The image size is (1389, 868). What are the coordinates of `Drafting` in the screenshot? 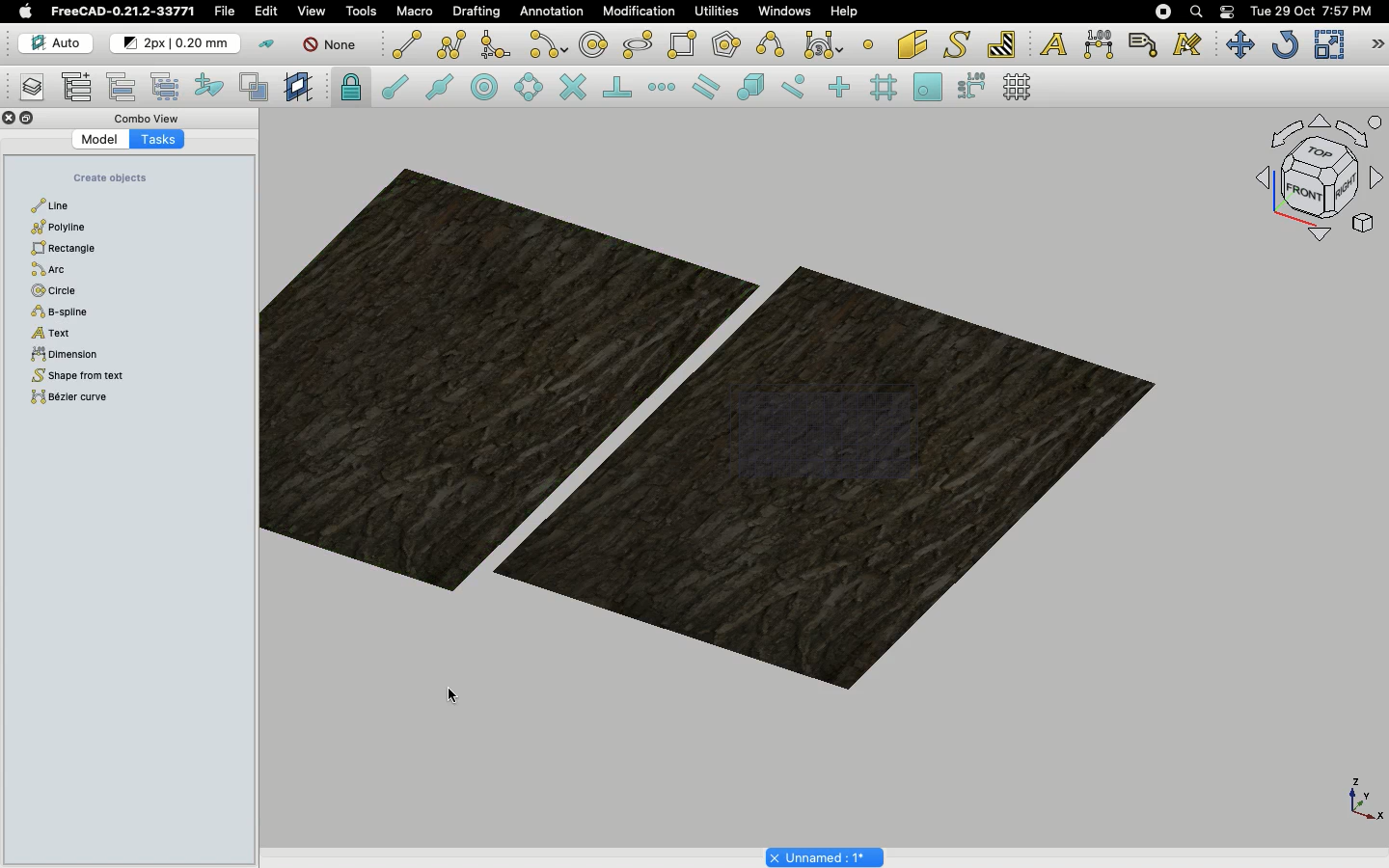 It's located at (478, 11).